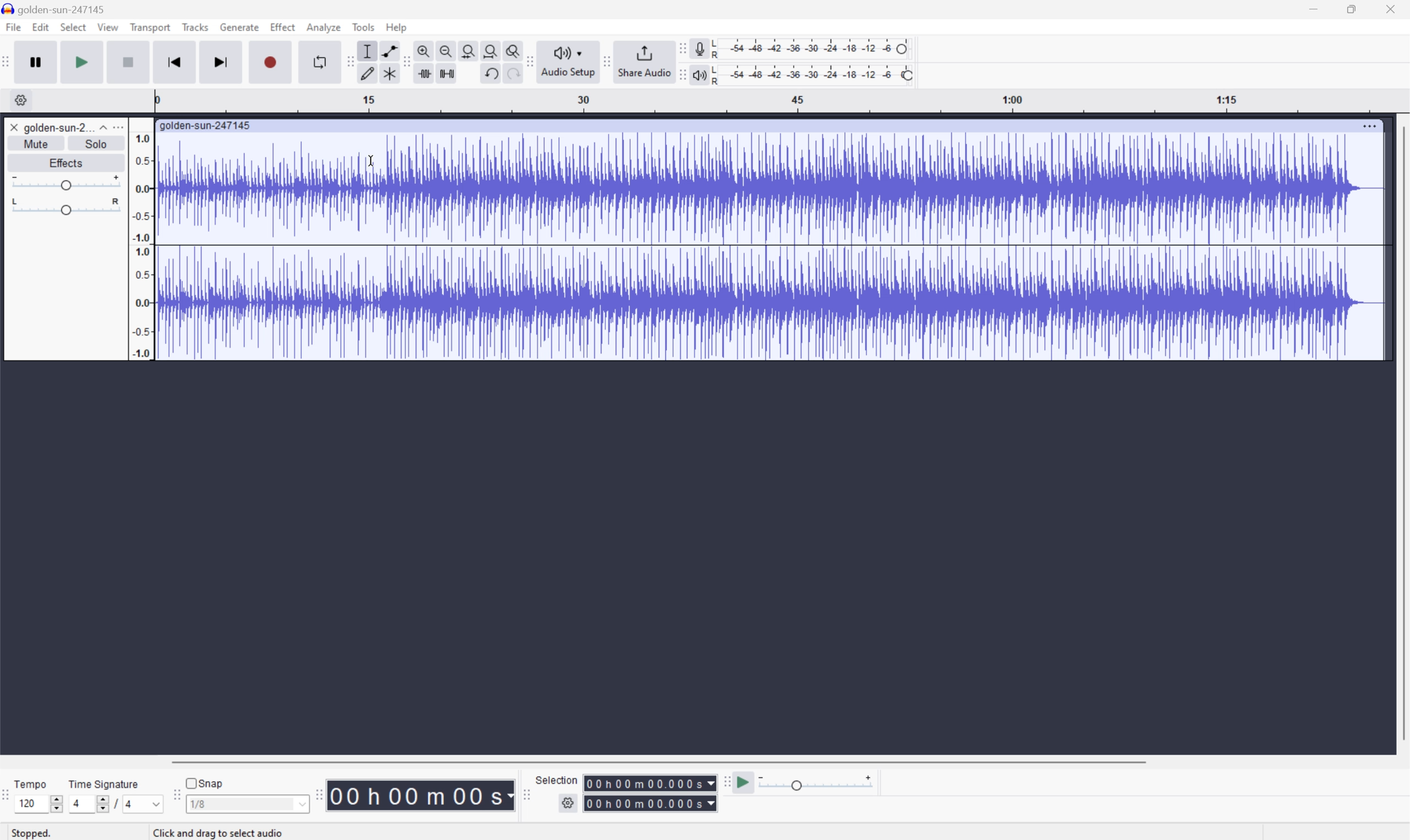  What do you see at coordinates (272, 62) in the screenshot?
I see `Record / Record new track` at bounding box center [272, 62].